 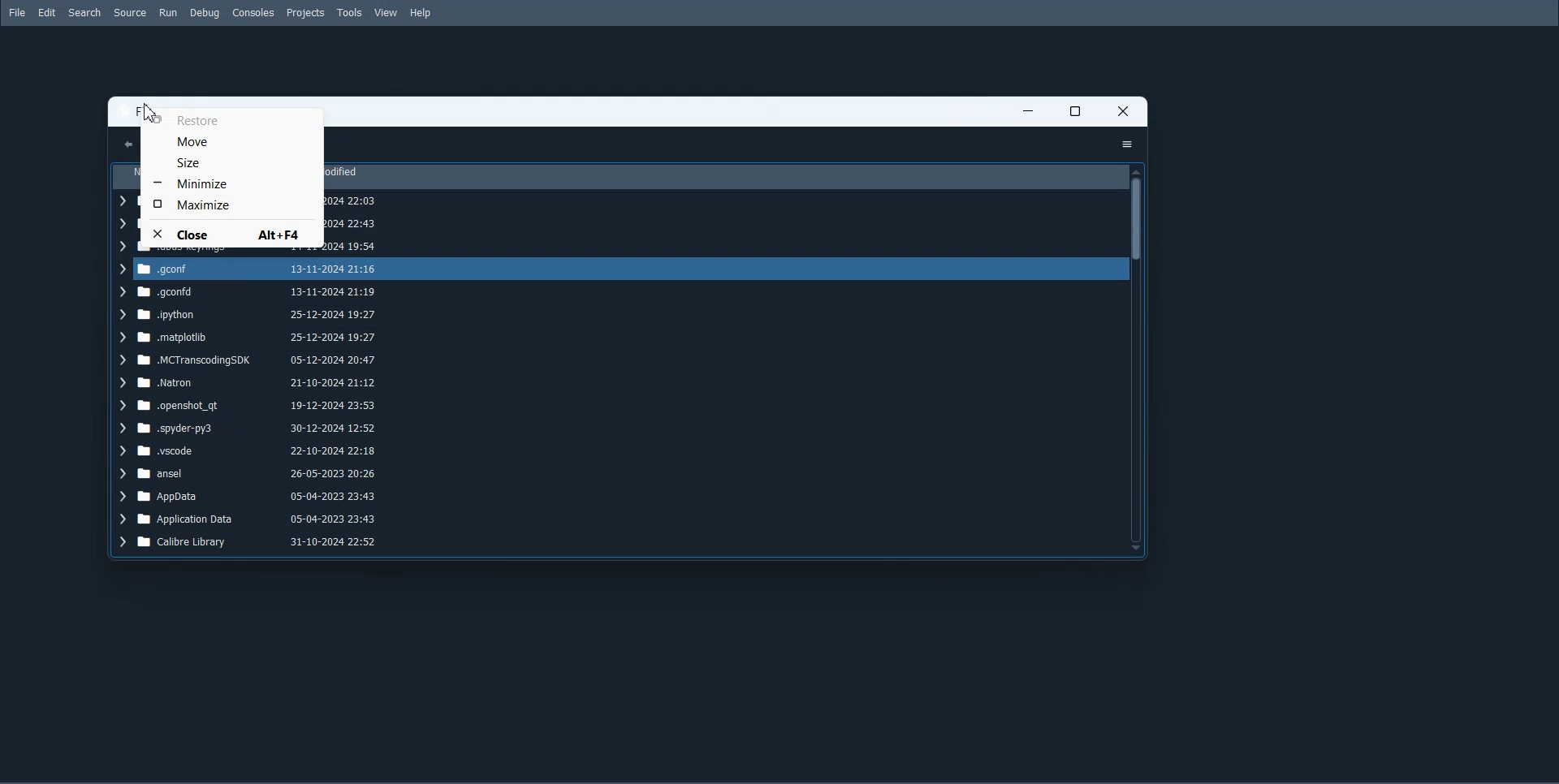 What do you see at coordinates (249, 338) in the screenshot?
I see `matplotiib 25-12-2024 19:27` at bounding box center [249, 338].